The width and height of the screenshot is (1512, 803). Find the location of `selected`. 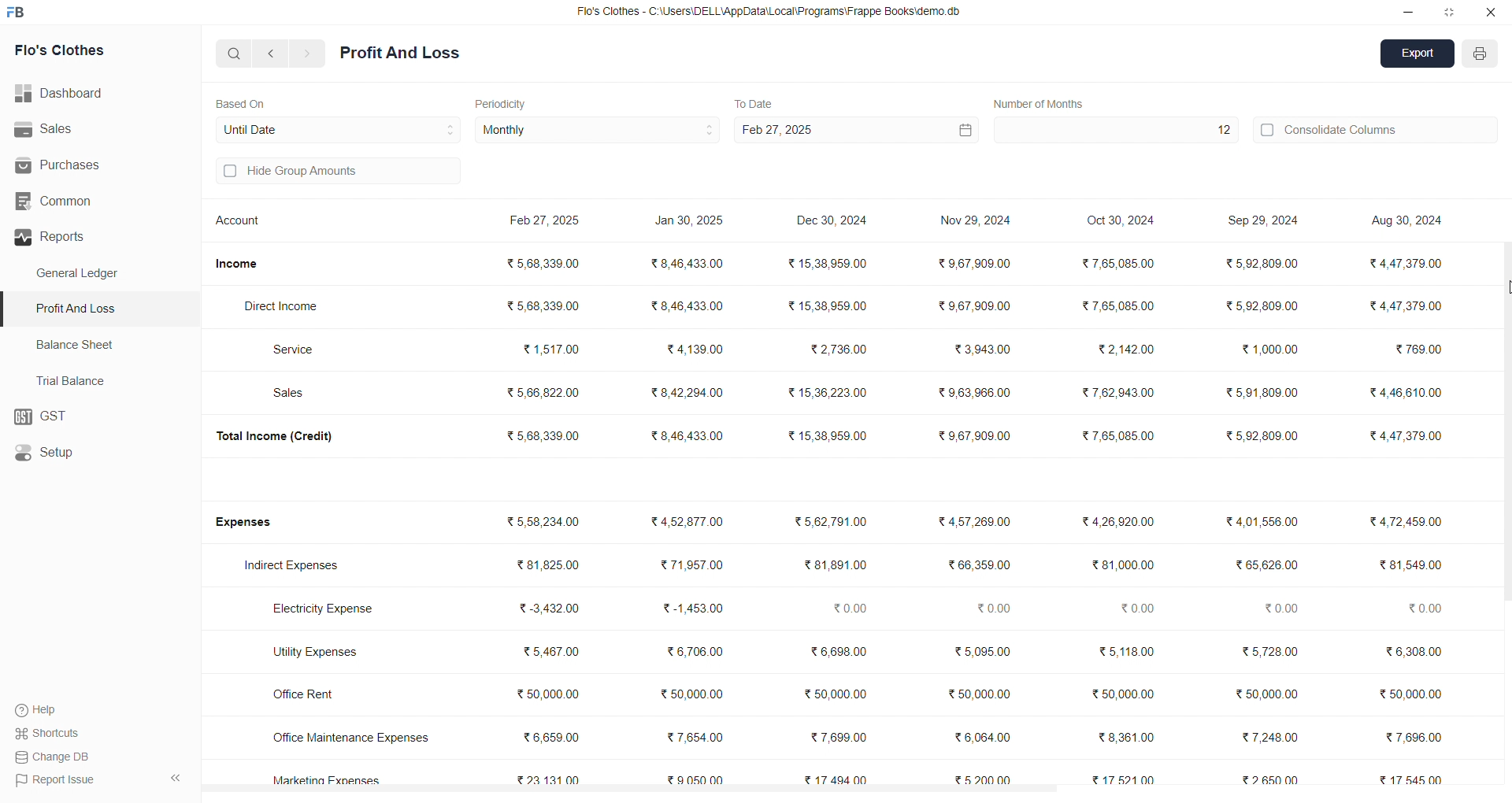

selected is located at coordinates (9, 309).